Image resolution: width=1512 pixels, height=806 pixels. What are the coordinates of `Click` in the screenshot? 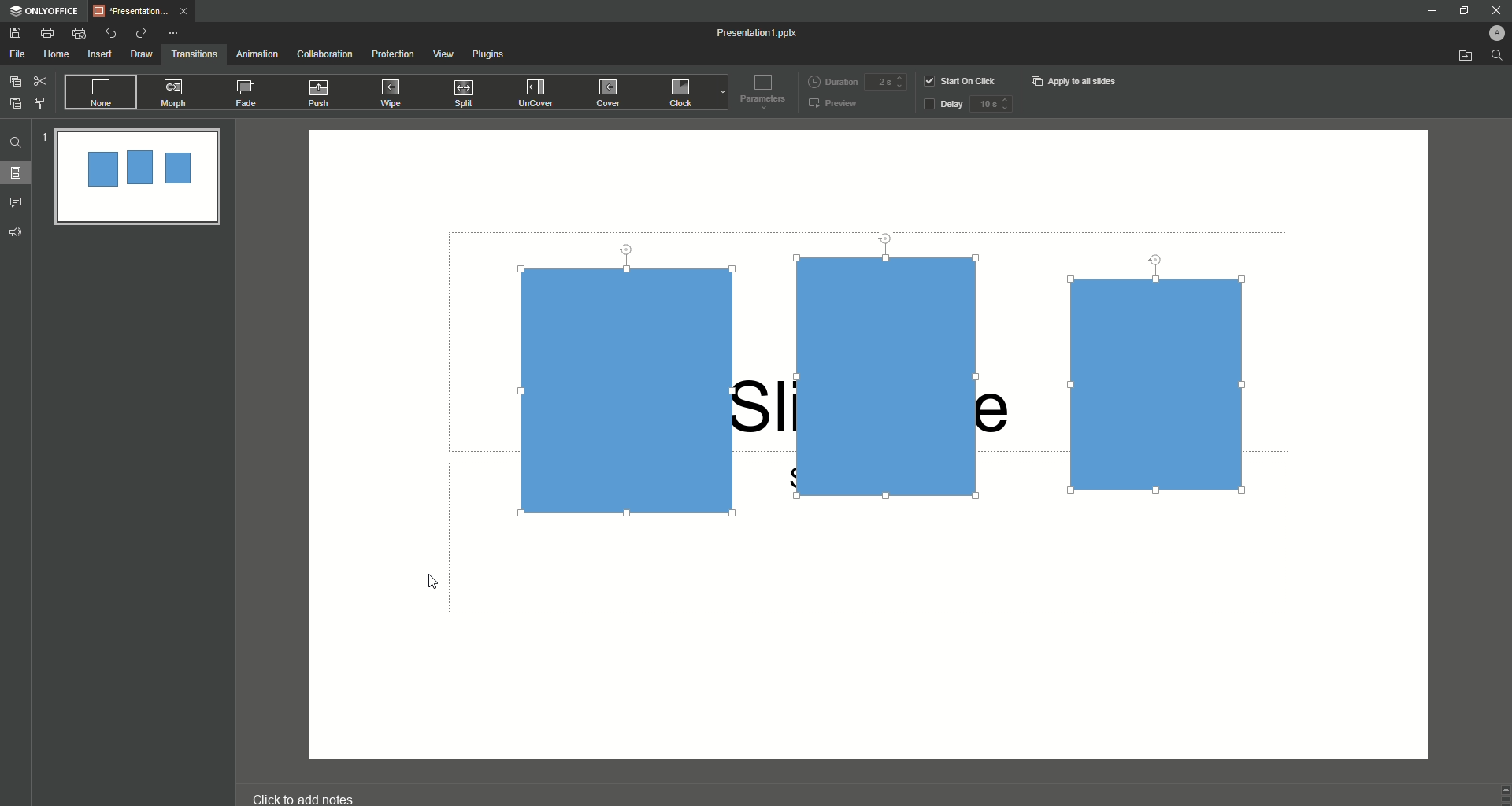 It's located at (683, 95).